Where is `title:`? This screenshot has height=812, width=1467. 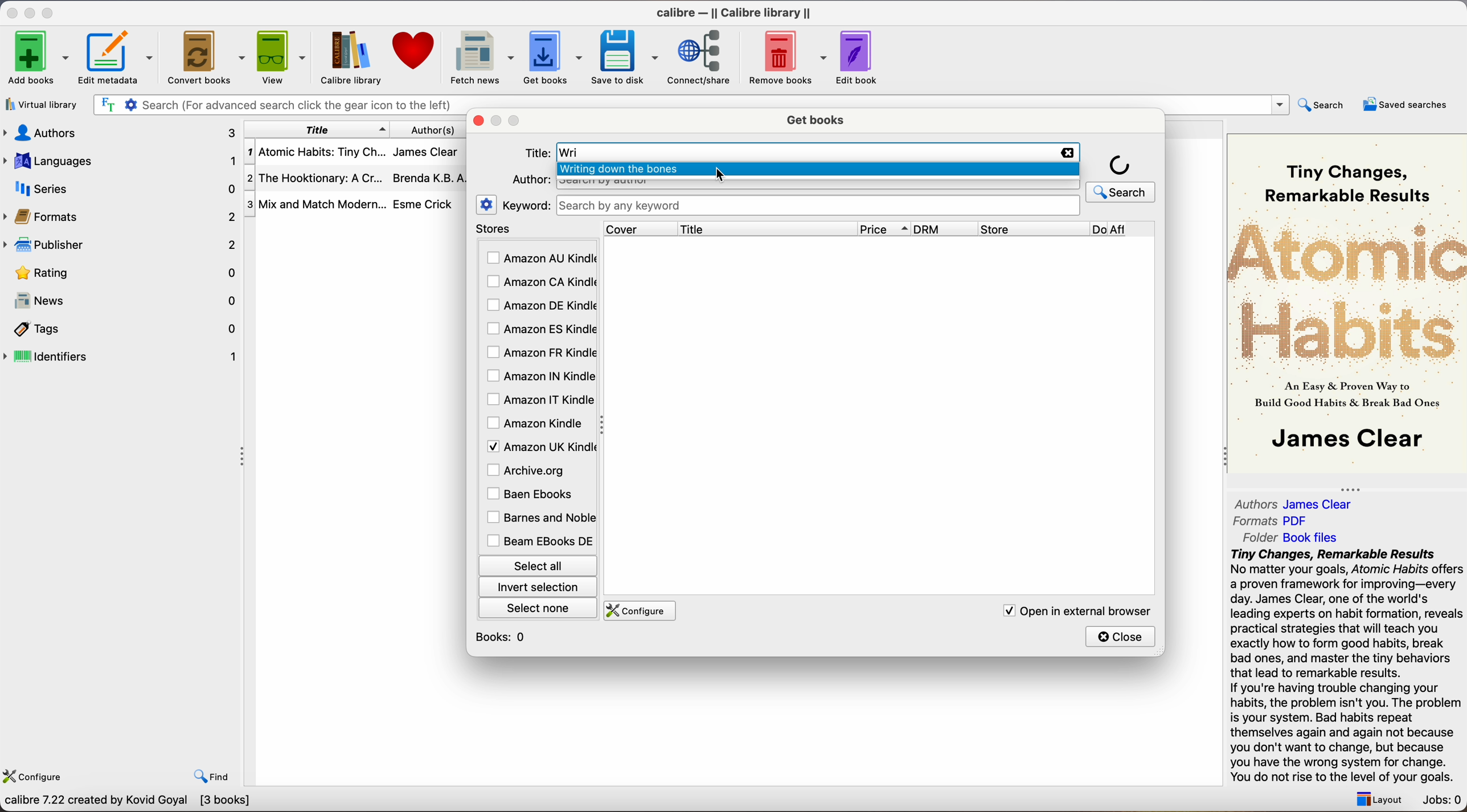
title: is located at coordinates (537, 154).